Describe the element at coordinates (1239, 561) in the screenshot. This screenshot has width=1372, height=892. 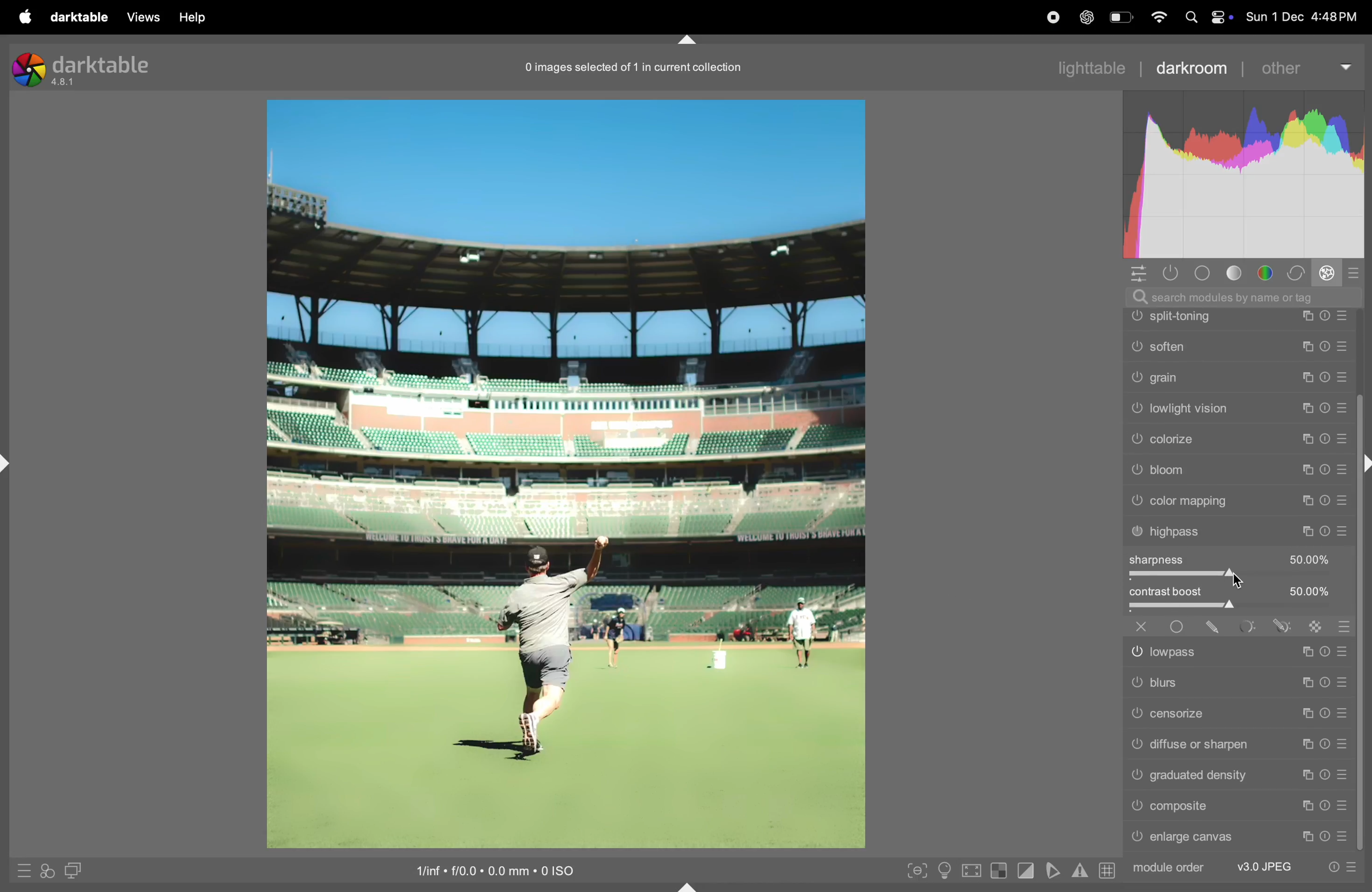
I see `bloom` at that location.